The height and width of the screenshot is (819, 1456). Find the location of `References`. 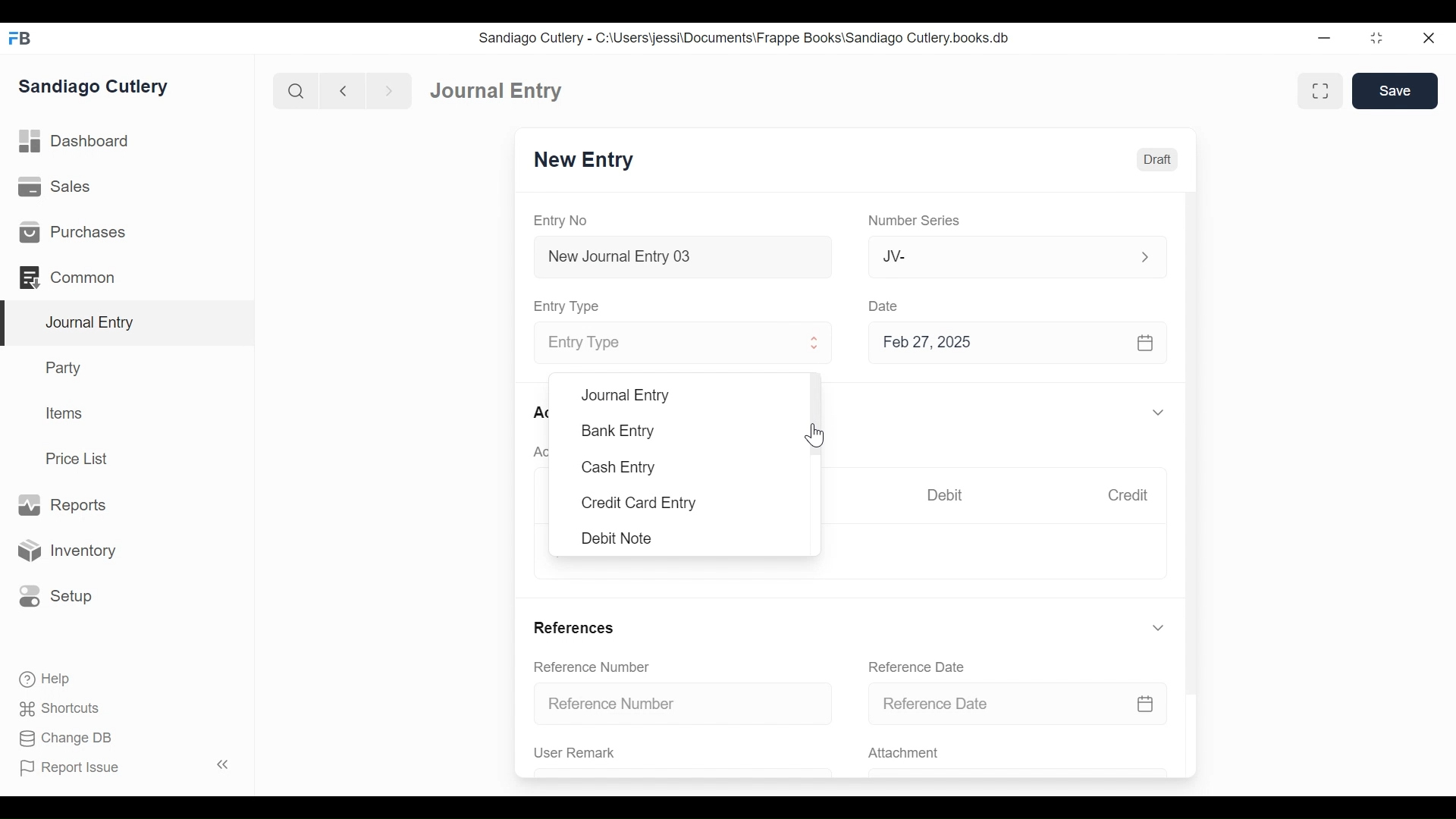

References is located at coordinates (576, 629).